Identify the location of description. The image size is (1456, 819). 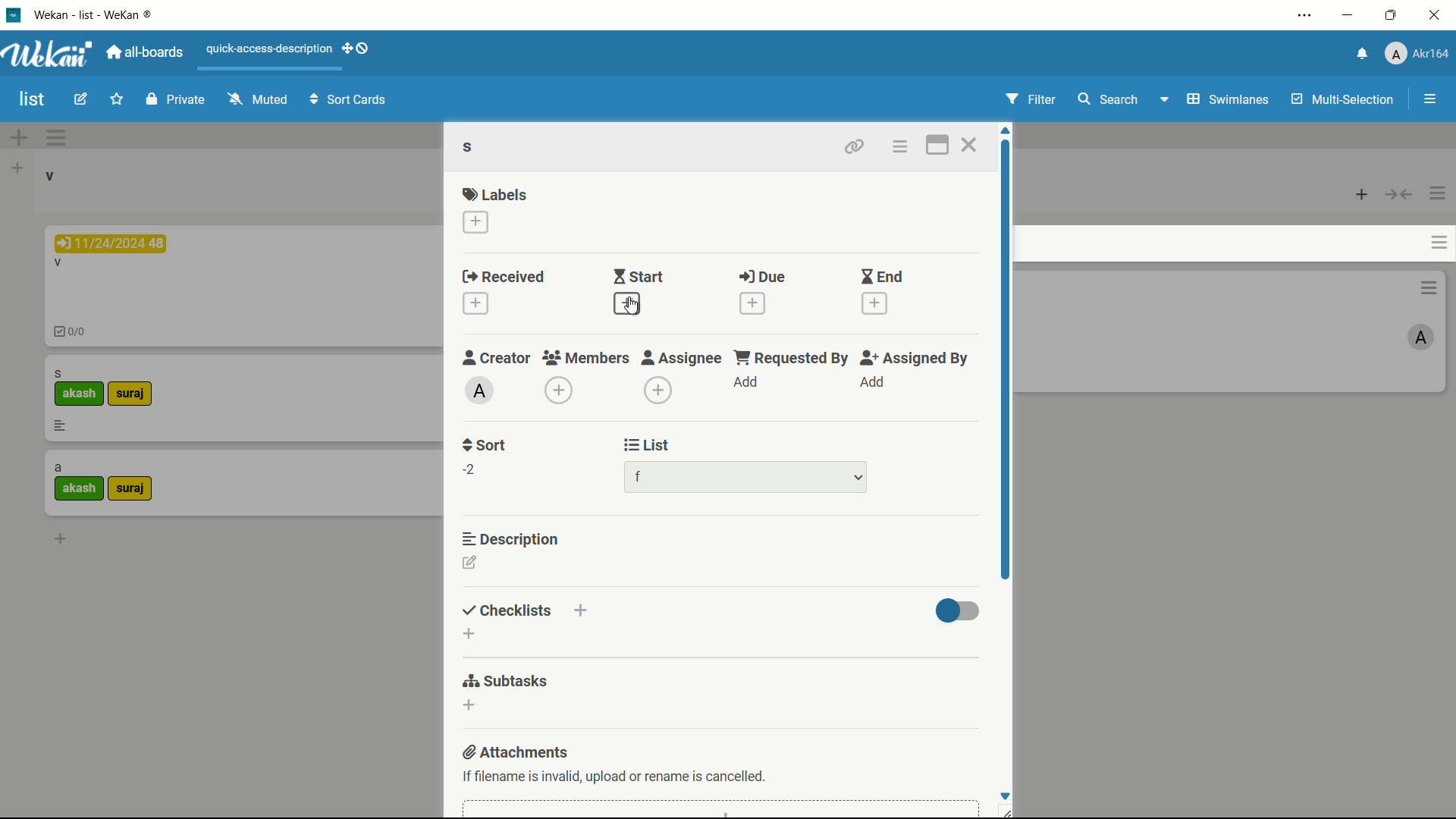
(512, 538).